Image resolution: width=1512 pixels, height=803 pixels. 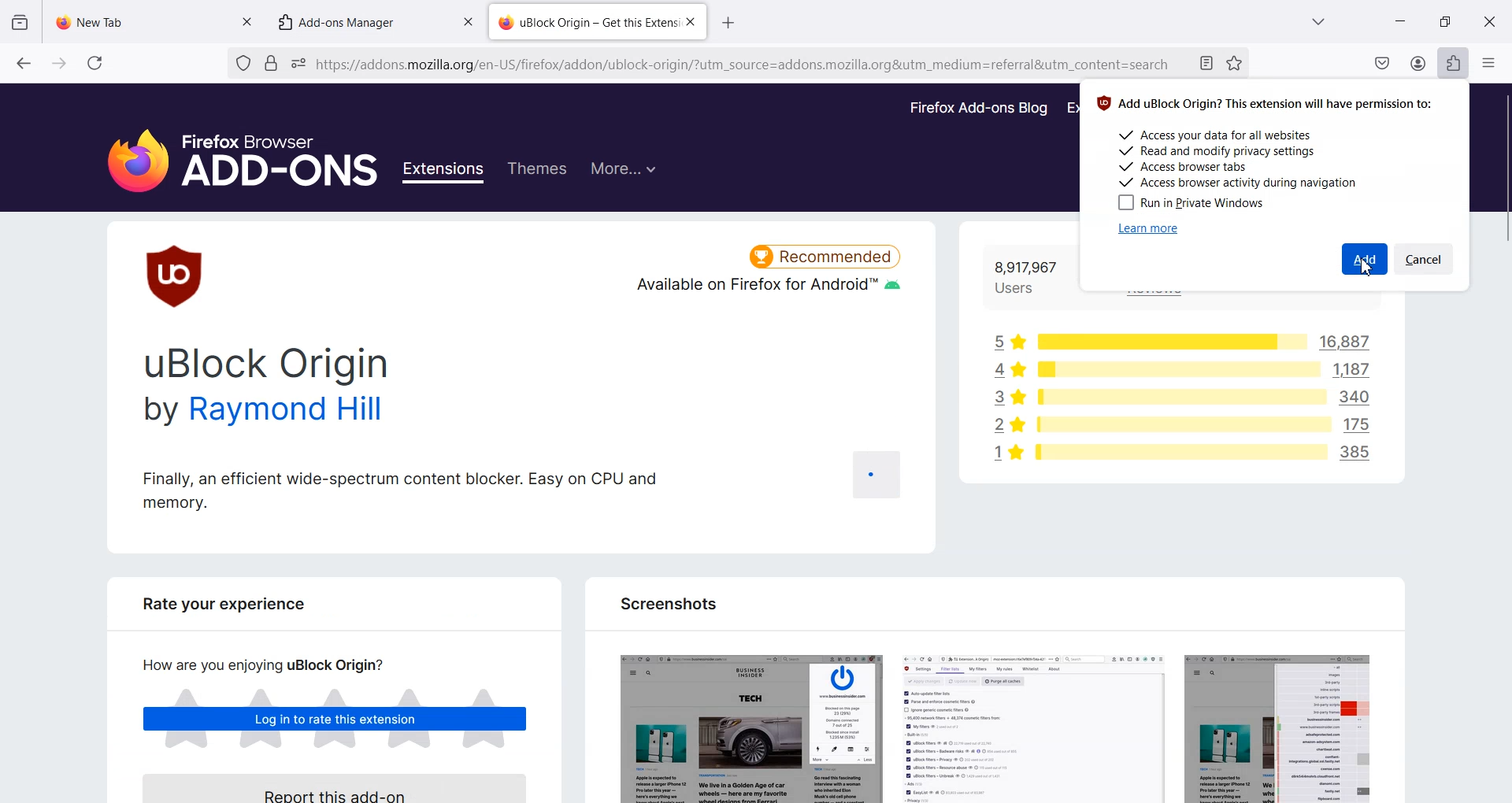 I want to click on Bookmark this page, so click(x=1233, y=63).